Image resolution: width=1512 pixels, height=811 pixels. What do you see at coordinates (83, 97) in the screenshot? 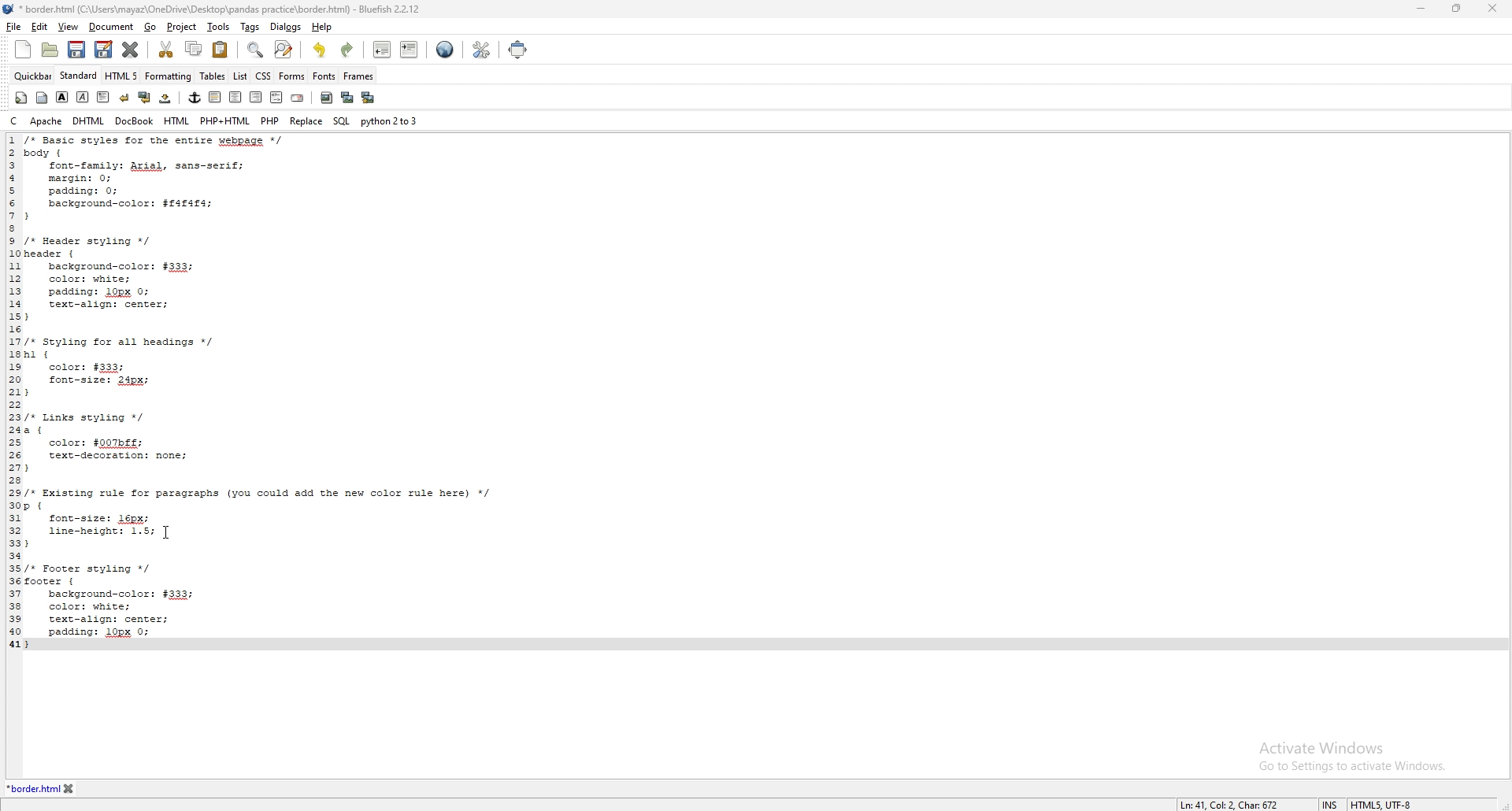
I see `italic` at bounding box center [83, 97].